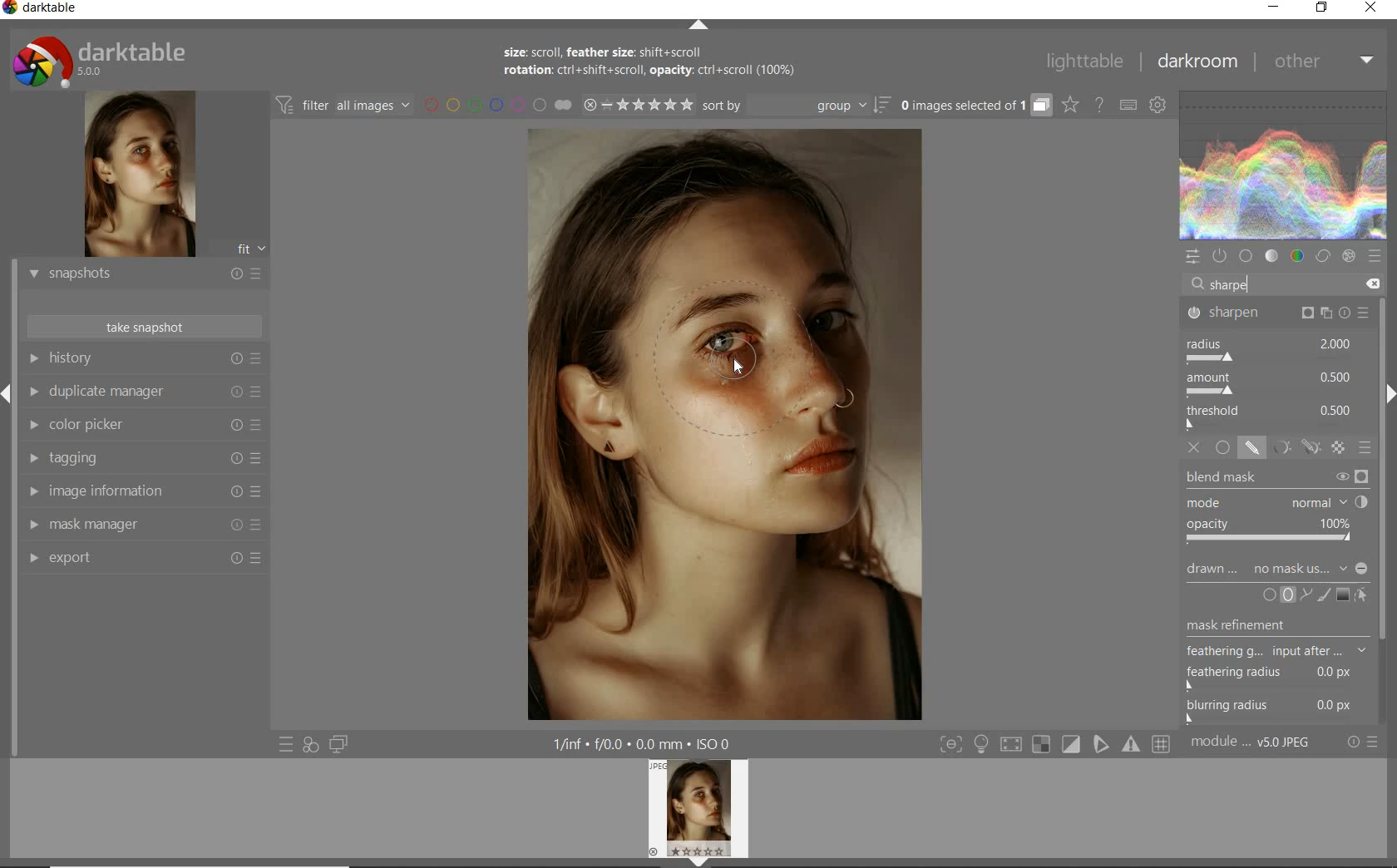 This screenshot has width=1397, height=868. I want to click on BLURING RADIUS, so click(1279, 708).